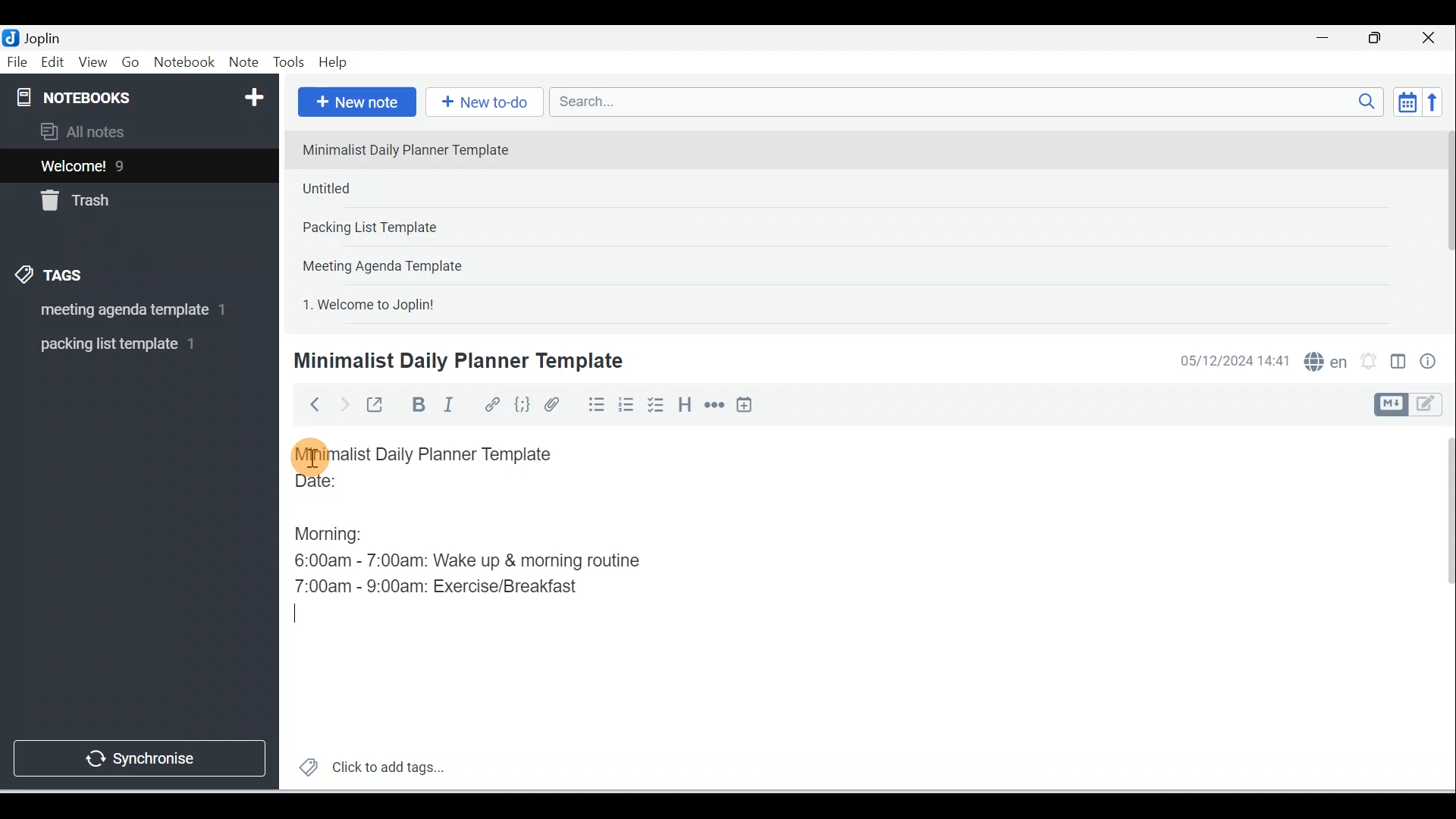 The height and width of the screenshot is (819, 1456). I want to click on Set alarm, so click(1367, 362).